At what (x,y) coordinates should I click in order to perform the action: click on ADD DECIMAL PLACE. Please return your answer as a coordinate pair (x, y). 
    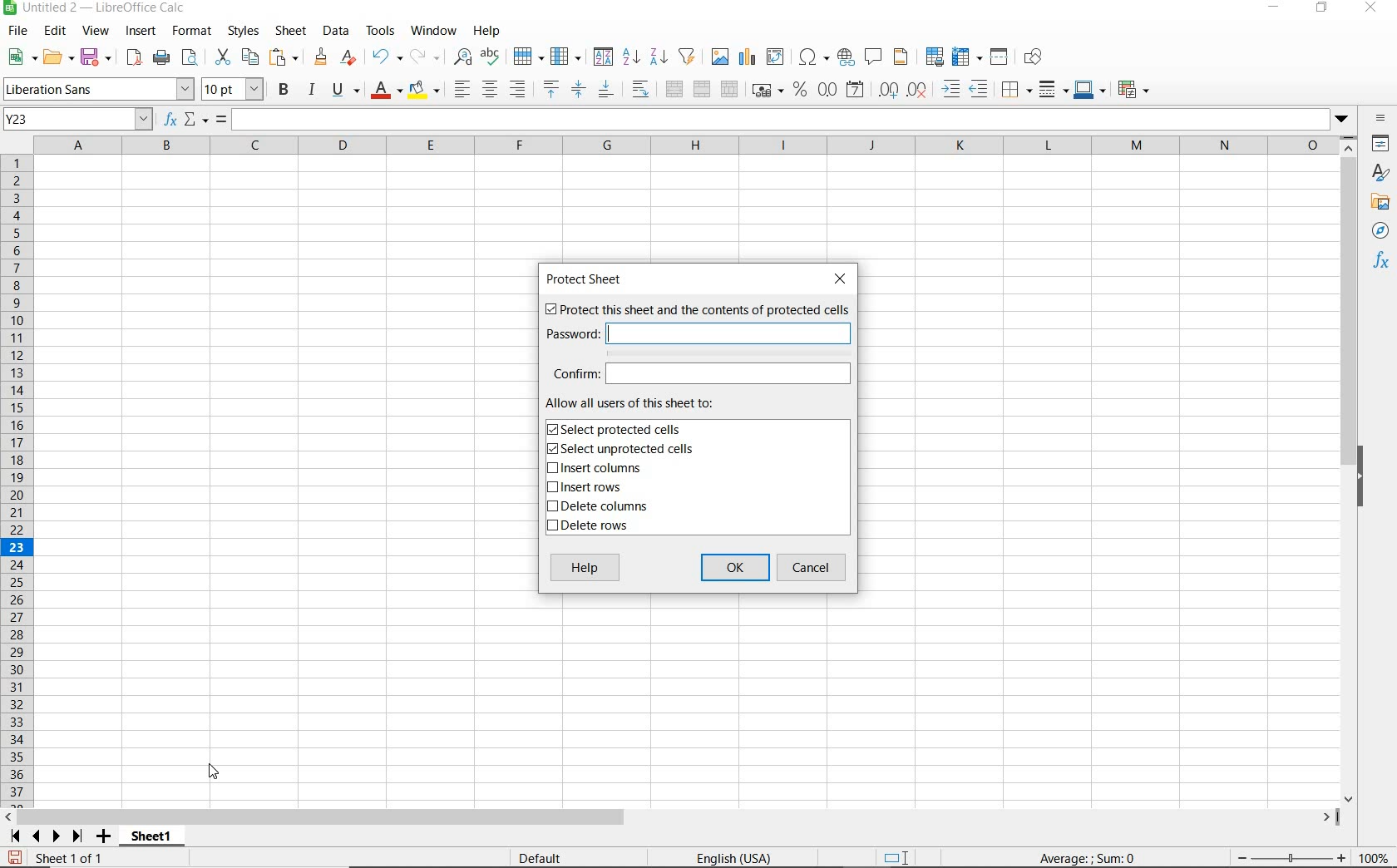
    Looking at the image, I should click on (887, 89).